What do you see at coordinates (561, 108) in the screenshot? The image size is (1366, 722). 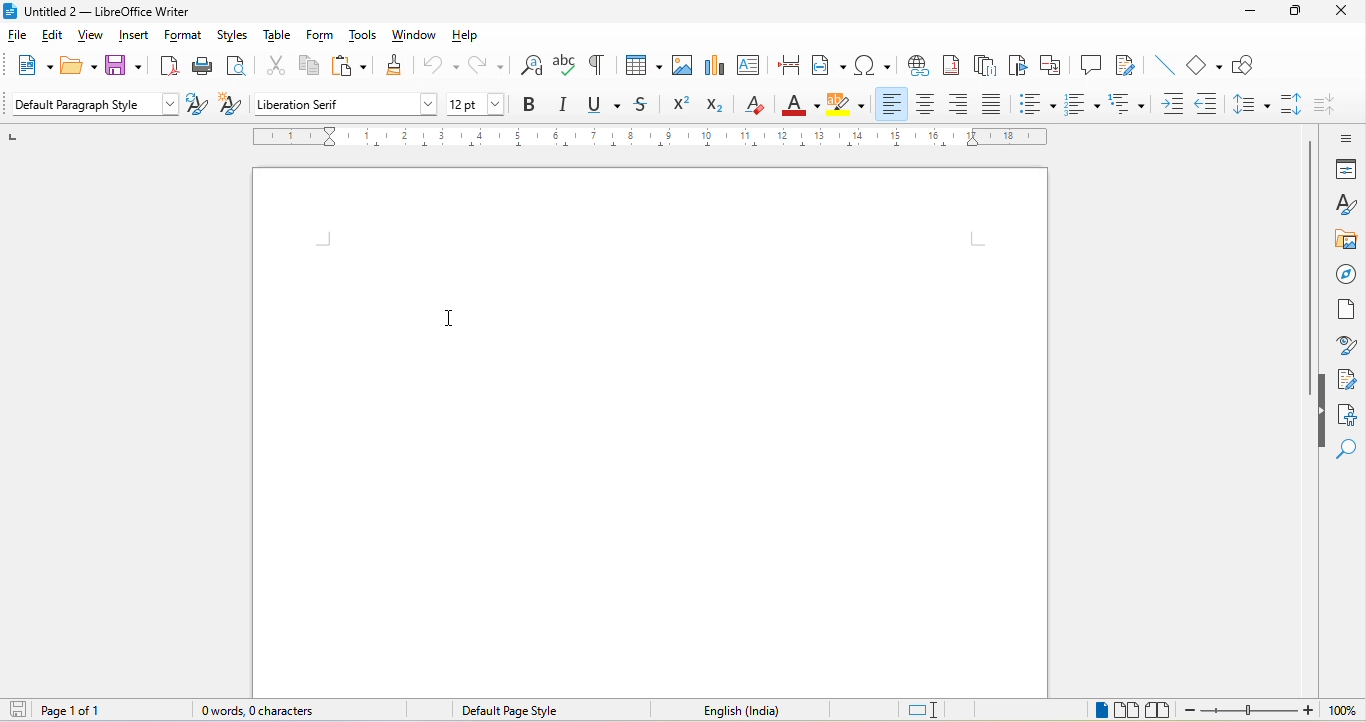 I see `italic` at bounding box center [561, 108].